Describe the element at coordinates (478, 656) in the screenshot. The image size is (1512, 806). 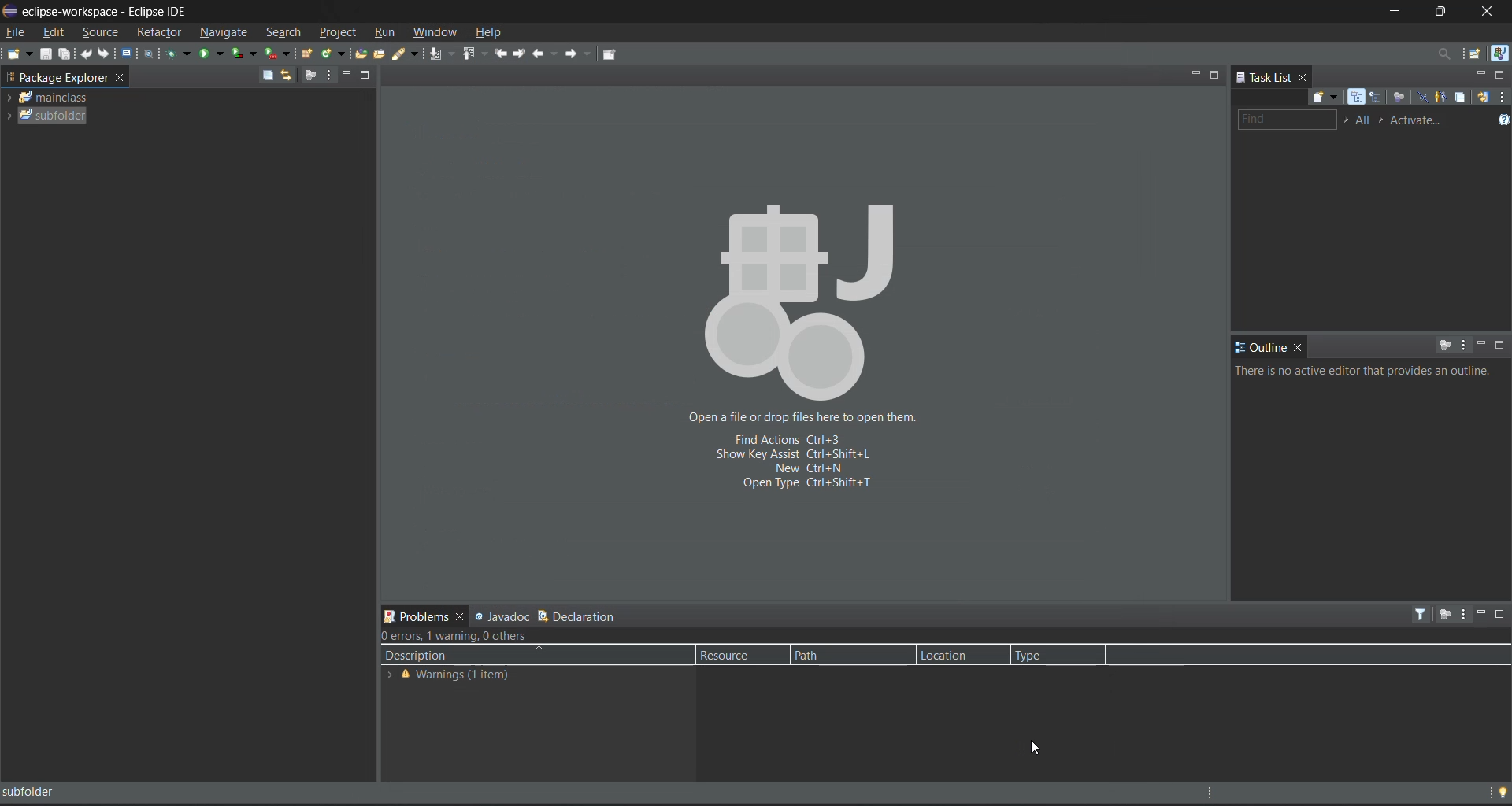
I see `description` at that location.